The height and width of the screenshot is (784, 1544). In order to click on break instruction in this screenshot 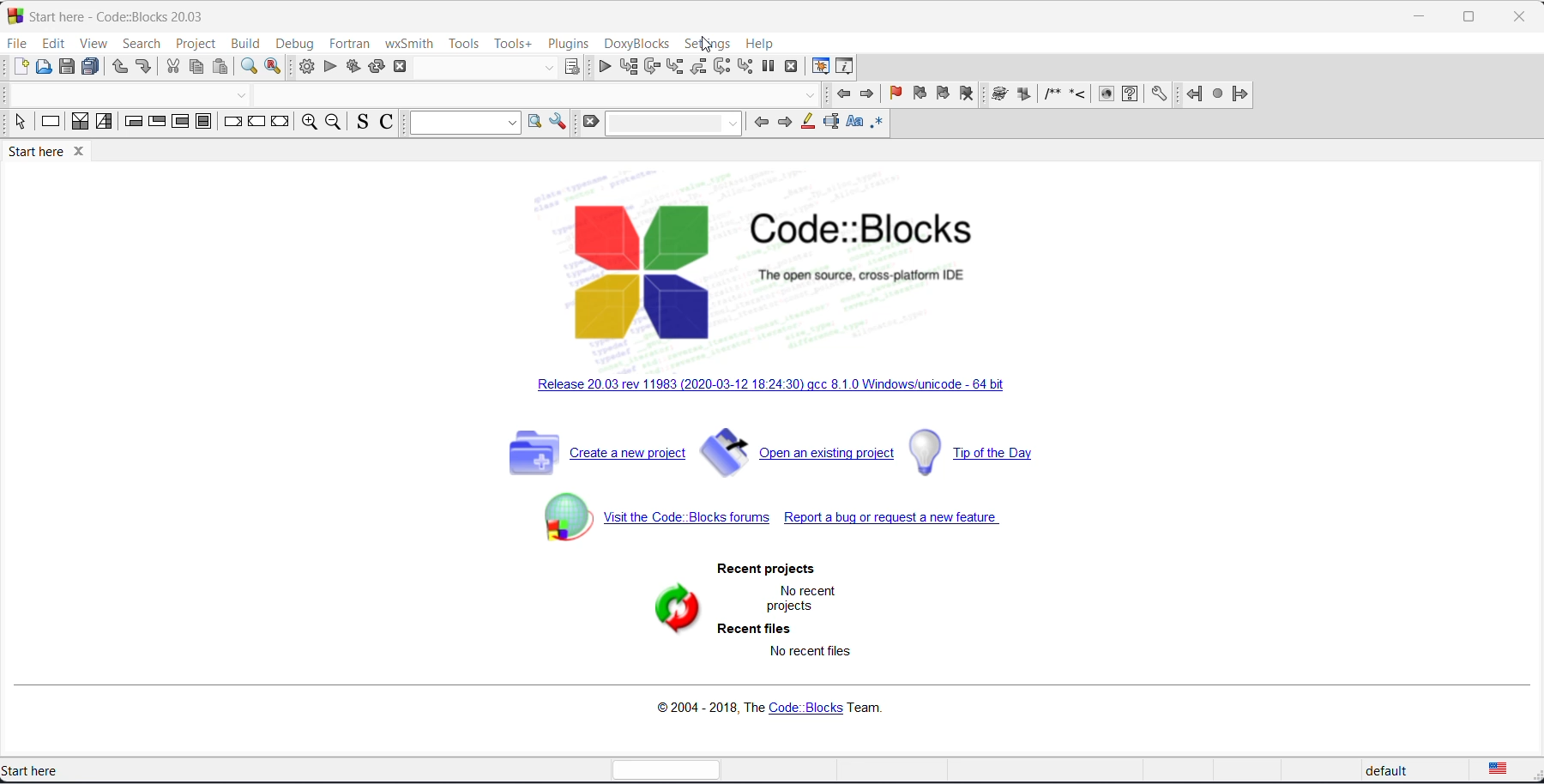, I will do `click(234, 121)`.